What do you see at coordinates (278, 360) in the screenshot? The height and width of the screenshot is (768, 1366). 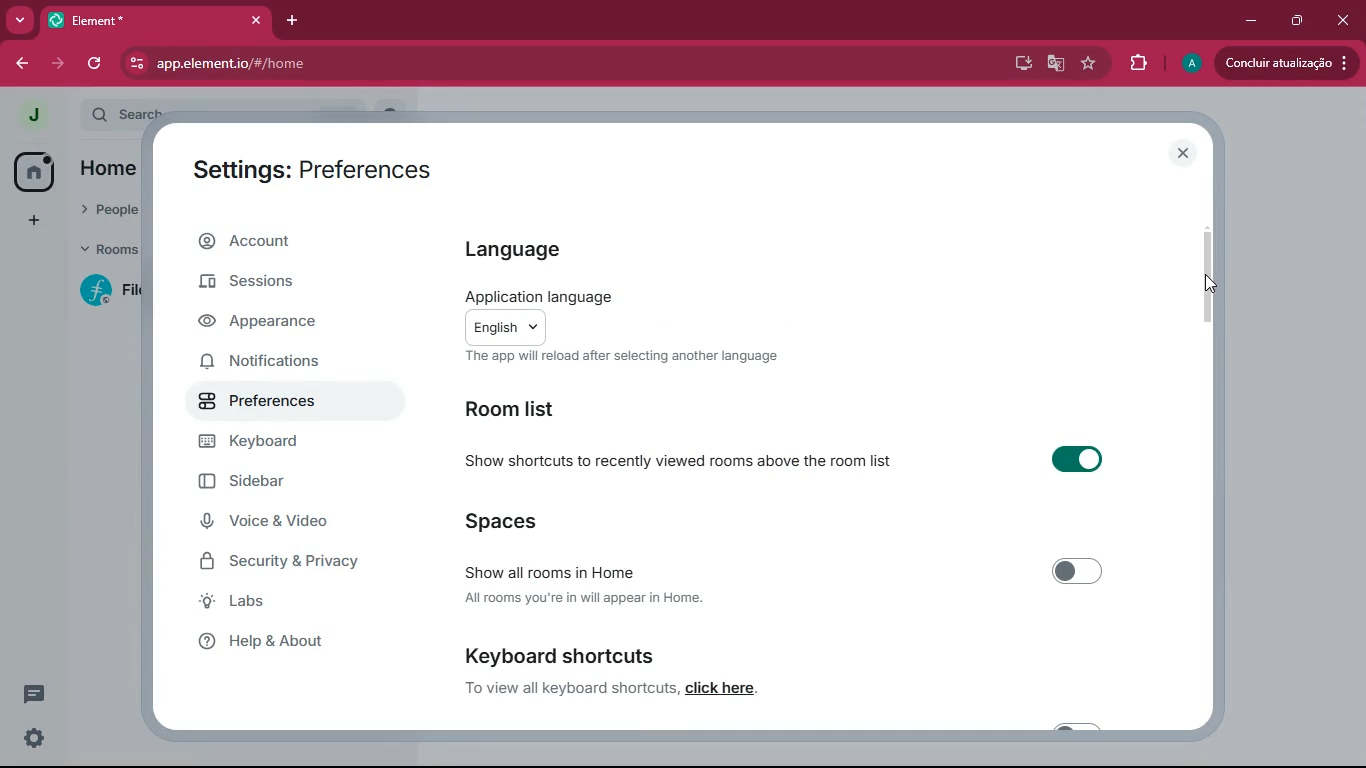 I see `notifications` at bounding box center [278, 360].